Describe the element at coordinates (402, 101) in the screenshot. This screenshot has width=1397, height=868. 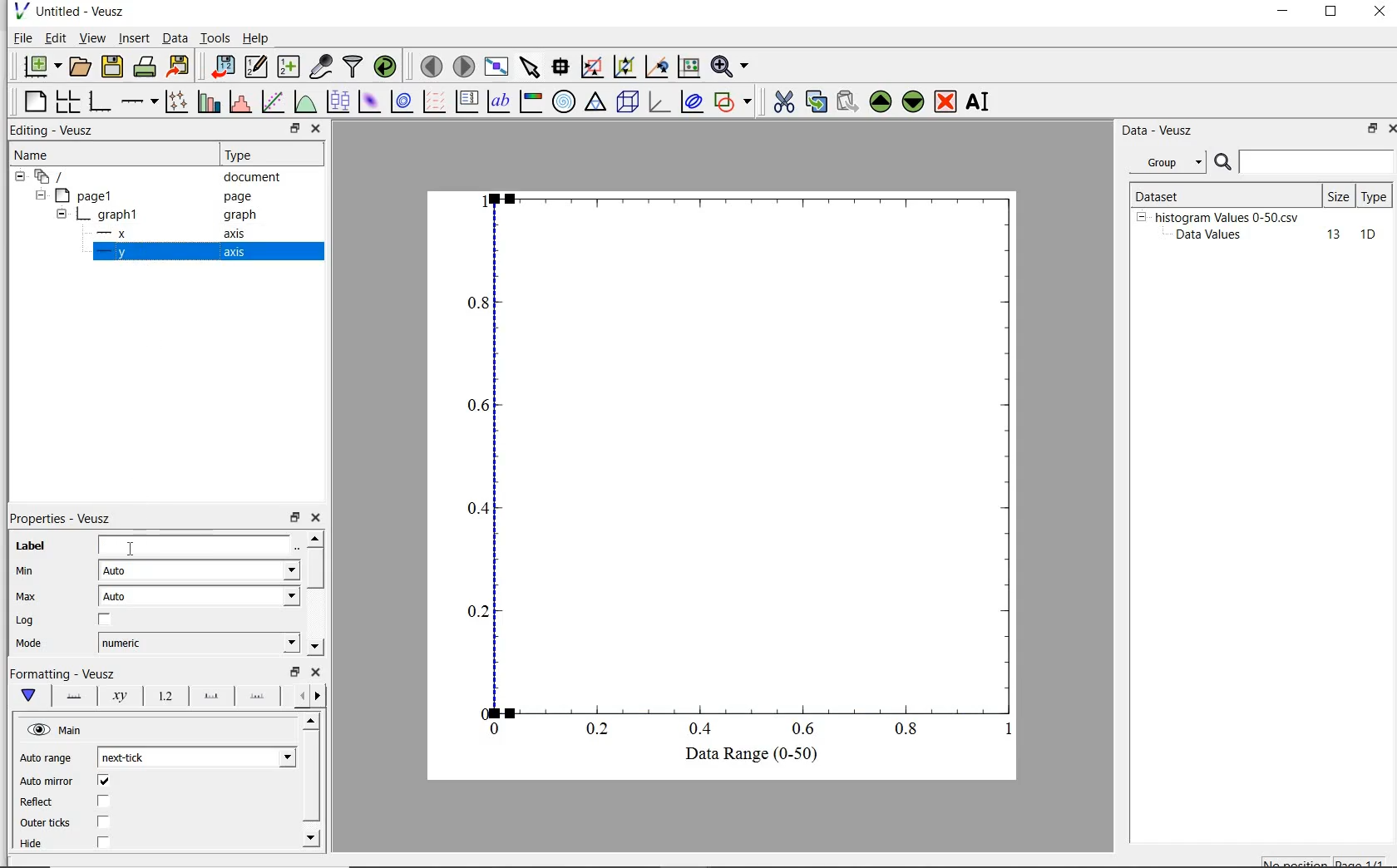
I see `plot 2d dataset as contours` at that location.